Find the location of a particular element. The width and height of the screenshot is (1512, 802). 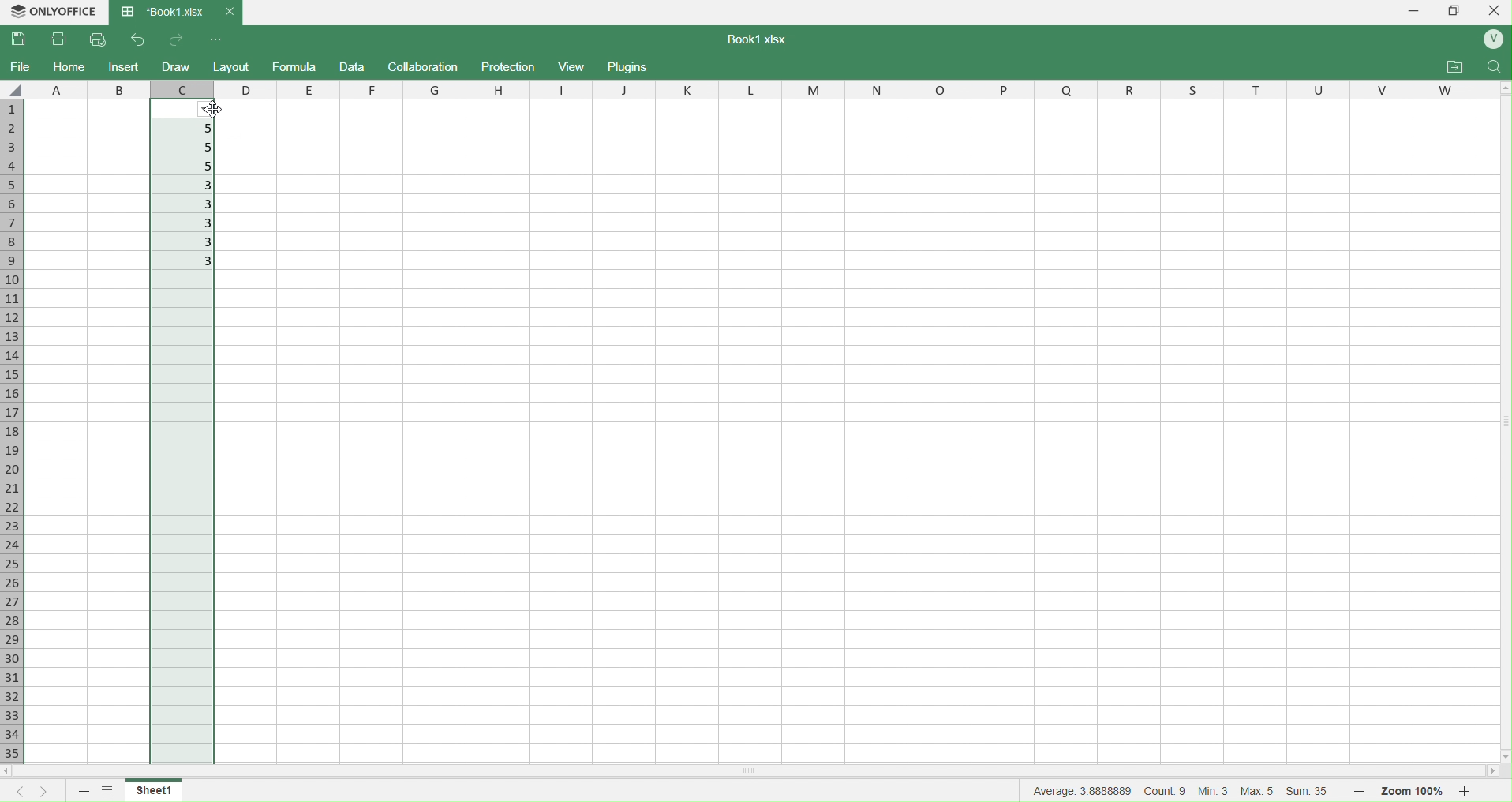

3 is located at coordinates (182, 243).